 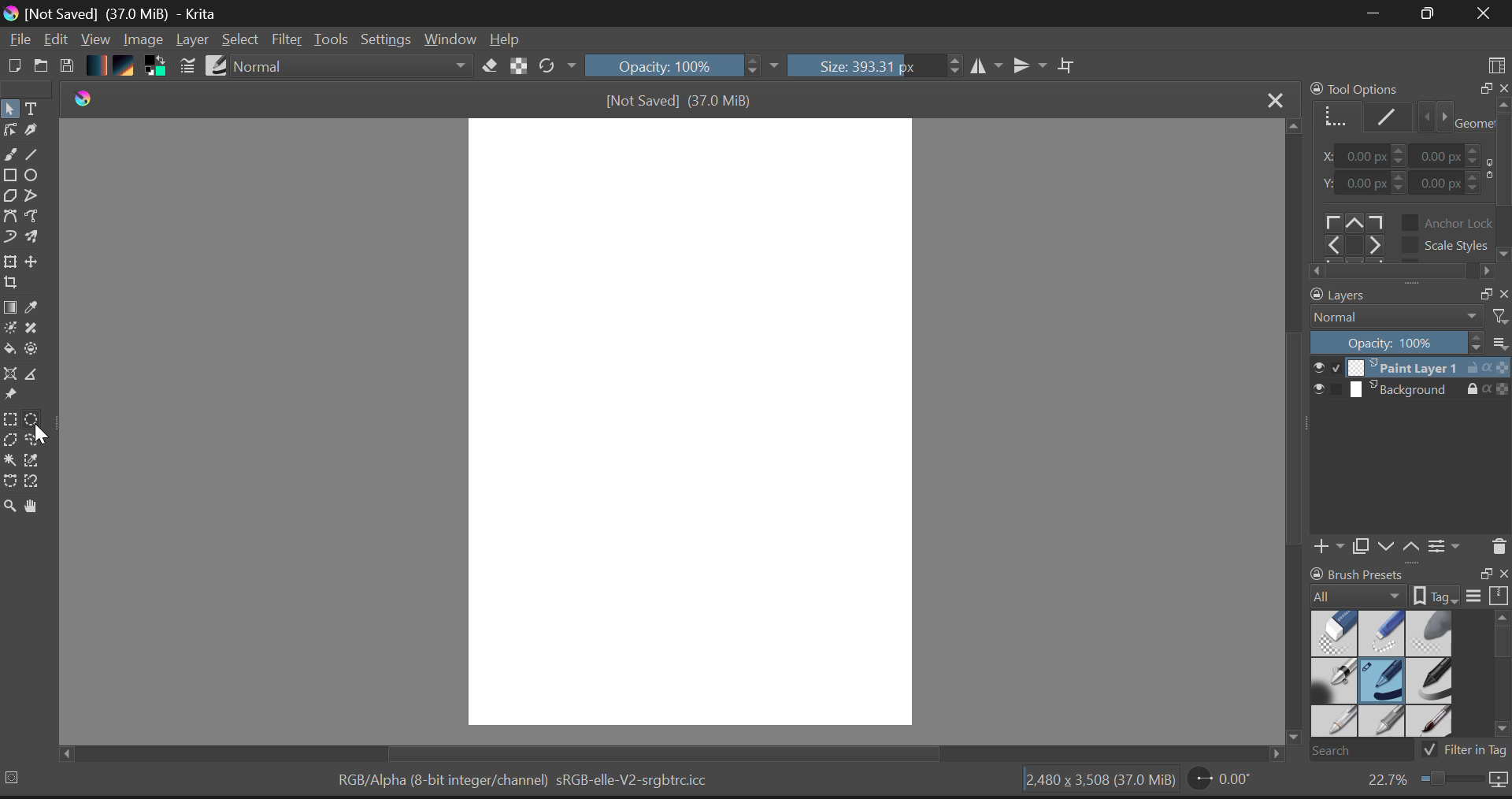 What do you see at coordinates (57, 40) in the screenshot?
I see `Edit` at bounding box center [57, 40].